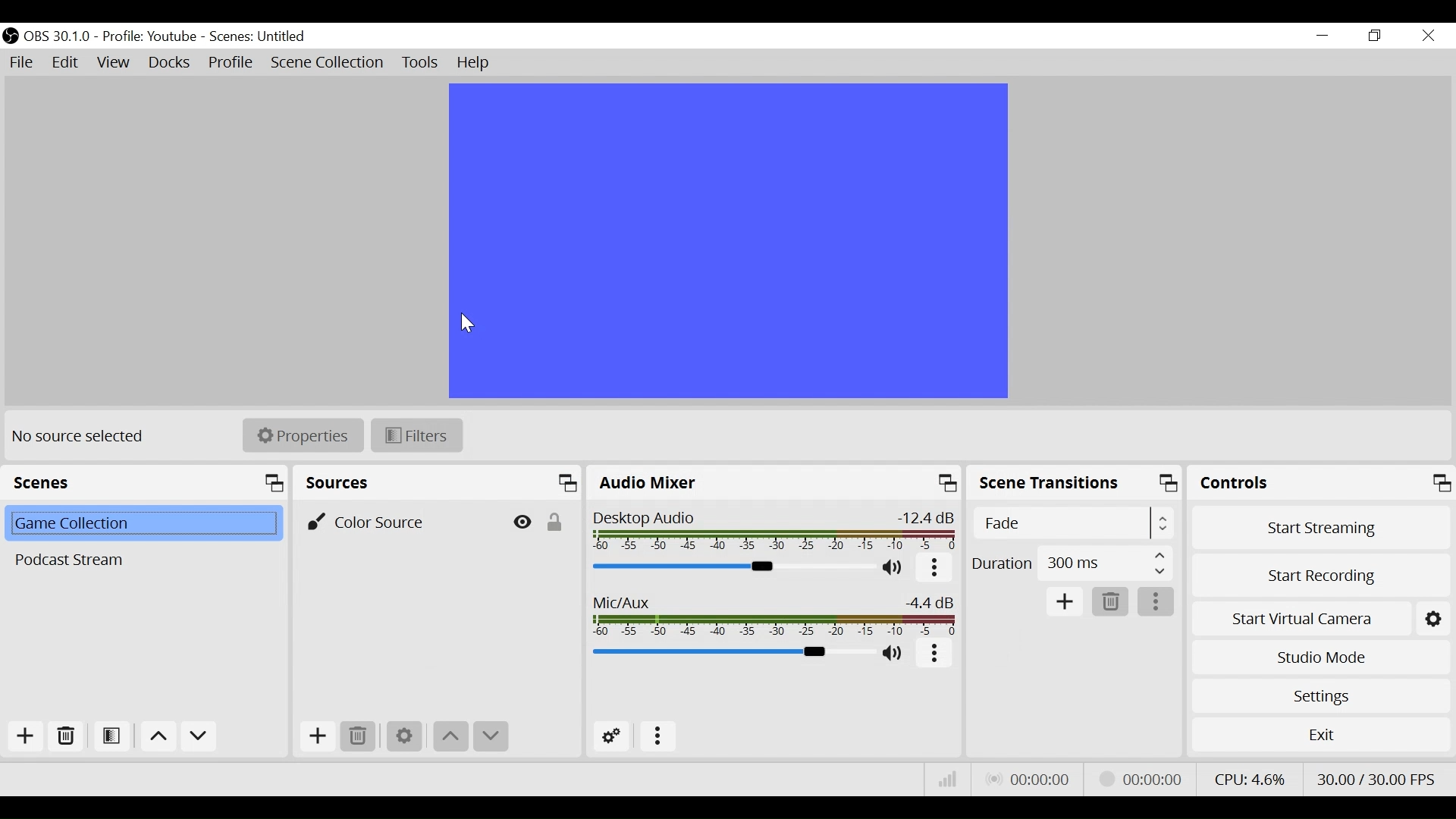  What do you see at coordinates (404, 738) in the screenshot?
I see `Settings` at bounding box center [404, 738].